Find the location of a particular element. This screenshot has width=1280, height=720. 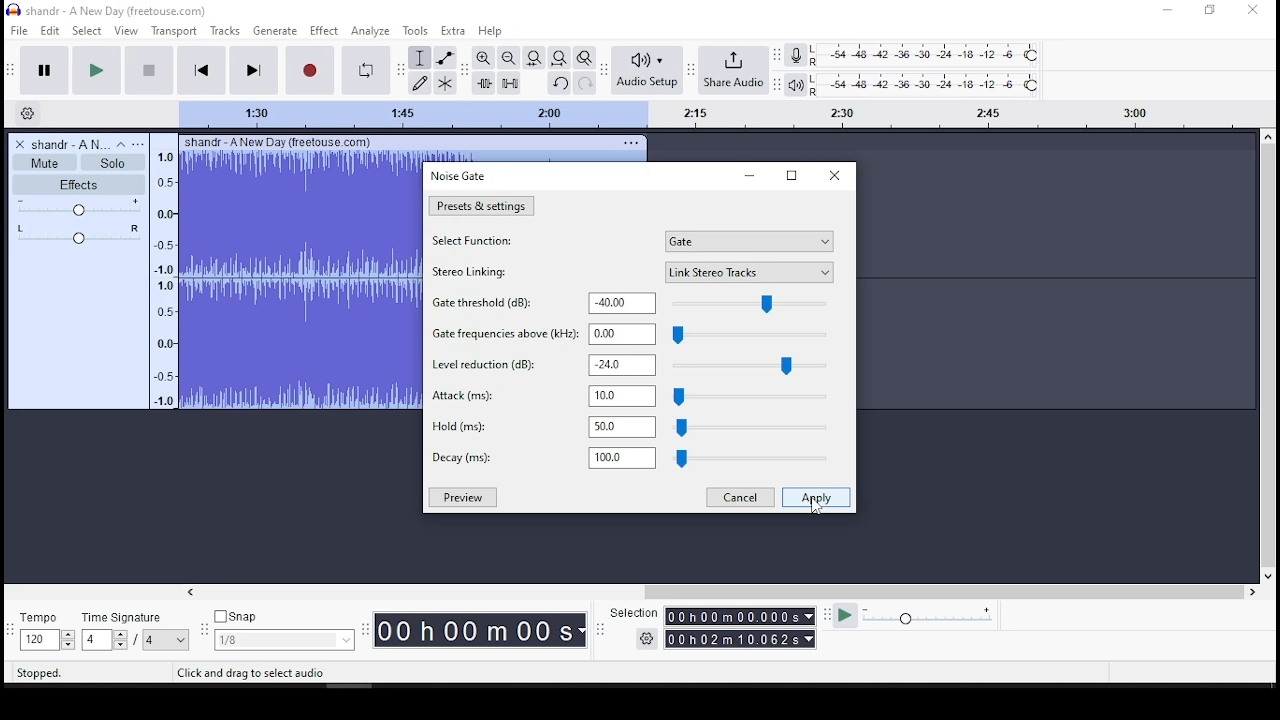

icon and file name is located at coordinates (109, 12).